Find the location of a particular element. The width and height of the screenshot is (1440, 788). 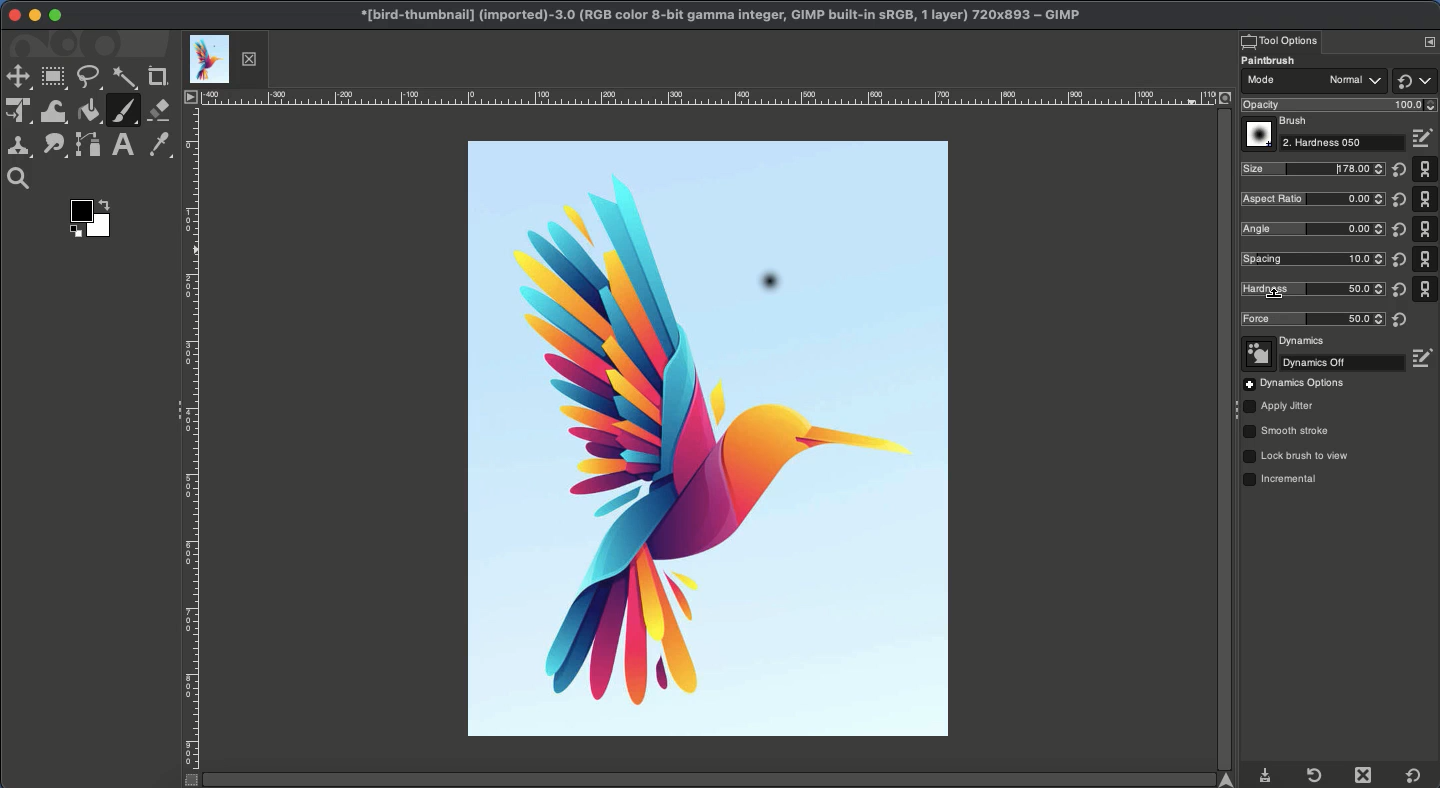

Color picker is located at coordinates (157, 145).